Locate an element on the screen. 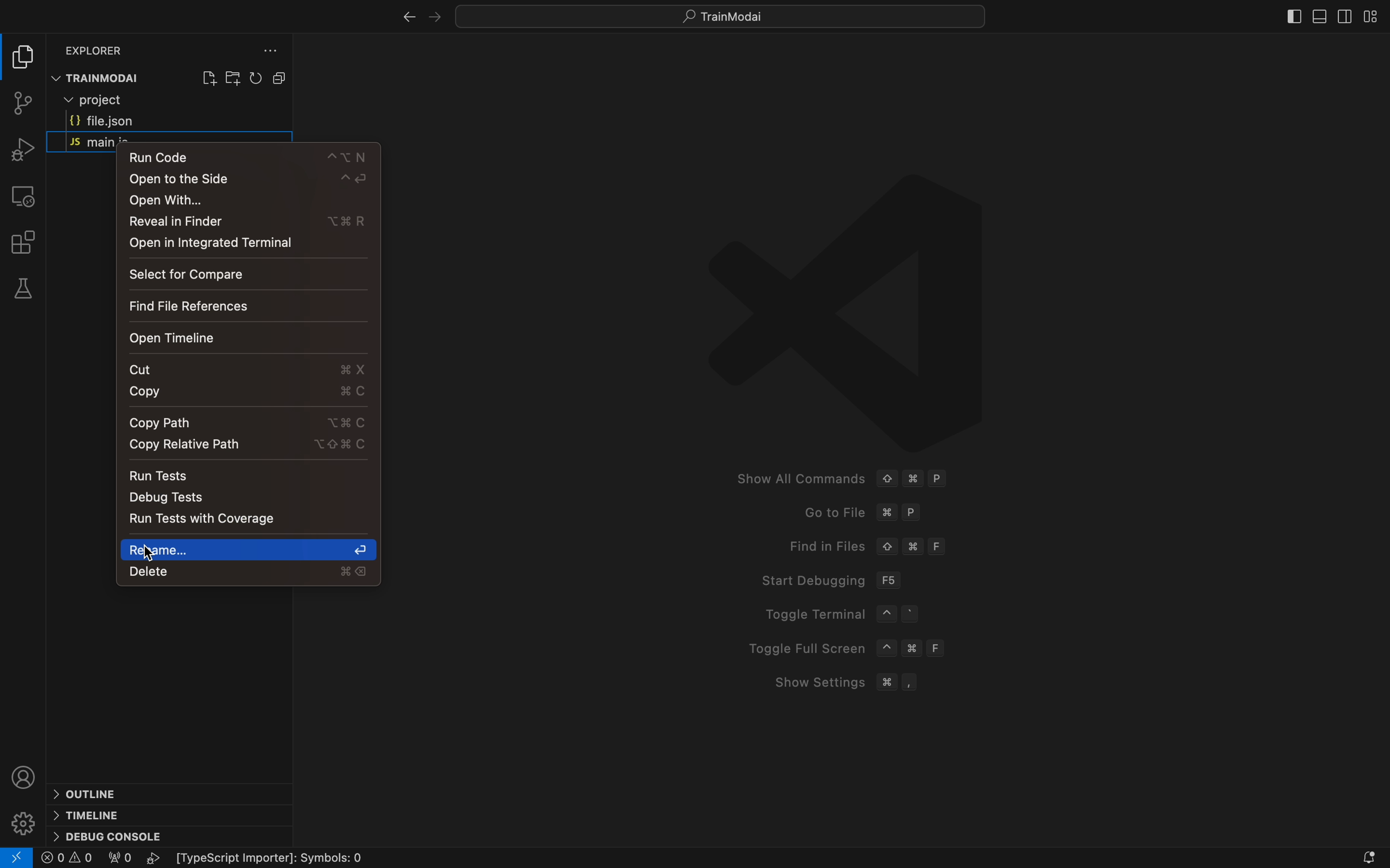  cut is located at coordinates (250, 366).